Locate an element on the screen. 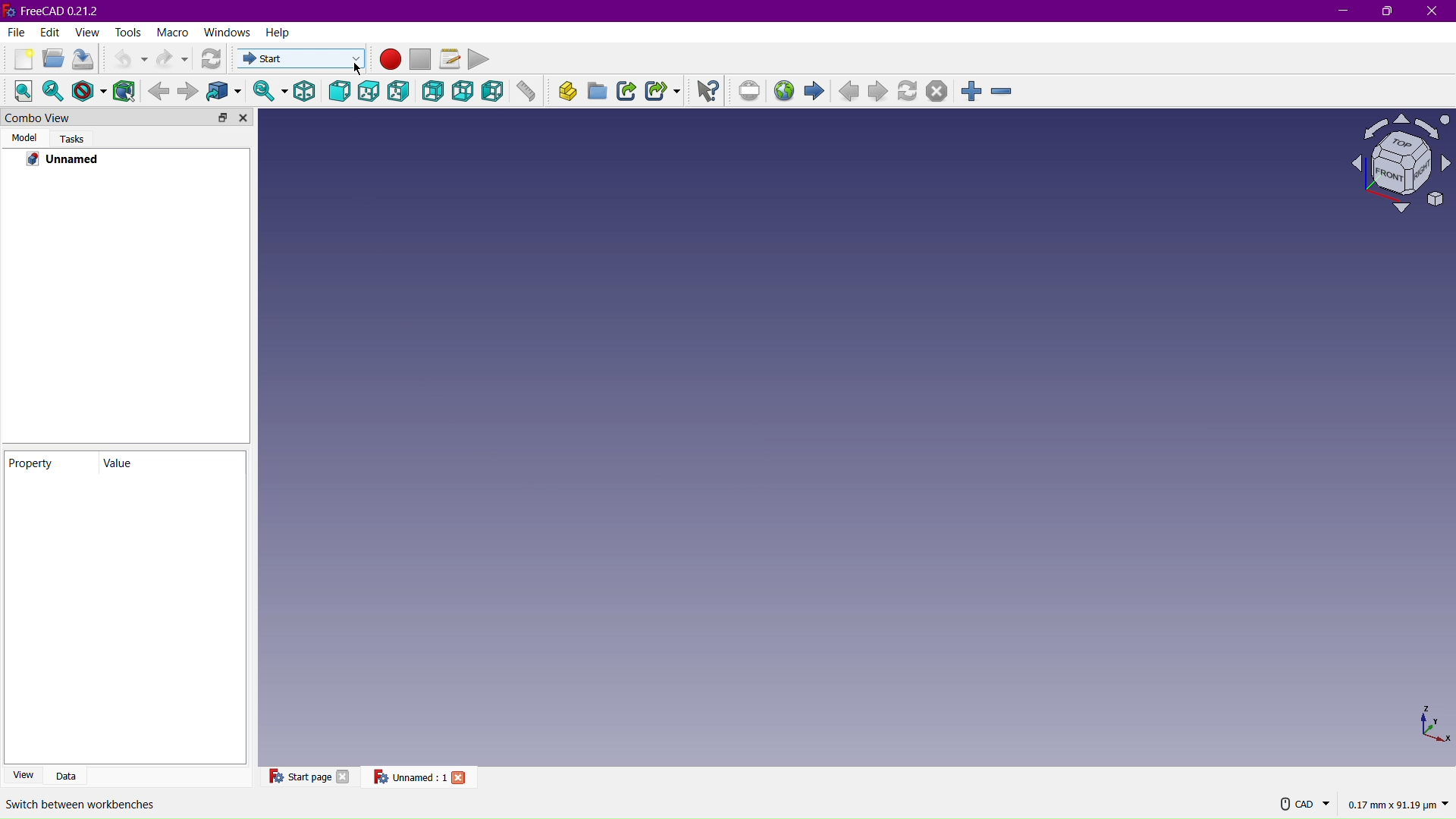  Create part is located at coordinates (563, 93).